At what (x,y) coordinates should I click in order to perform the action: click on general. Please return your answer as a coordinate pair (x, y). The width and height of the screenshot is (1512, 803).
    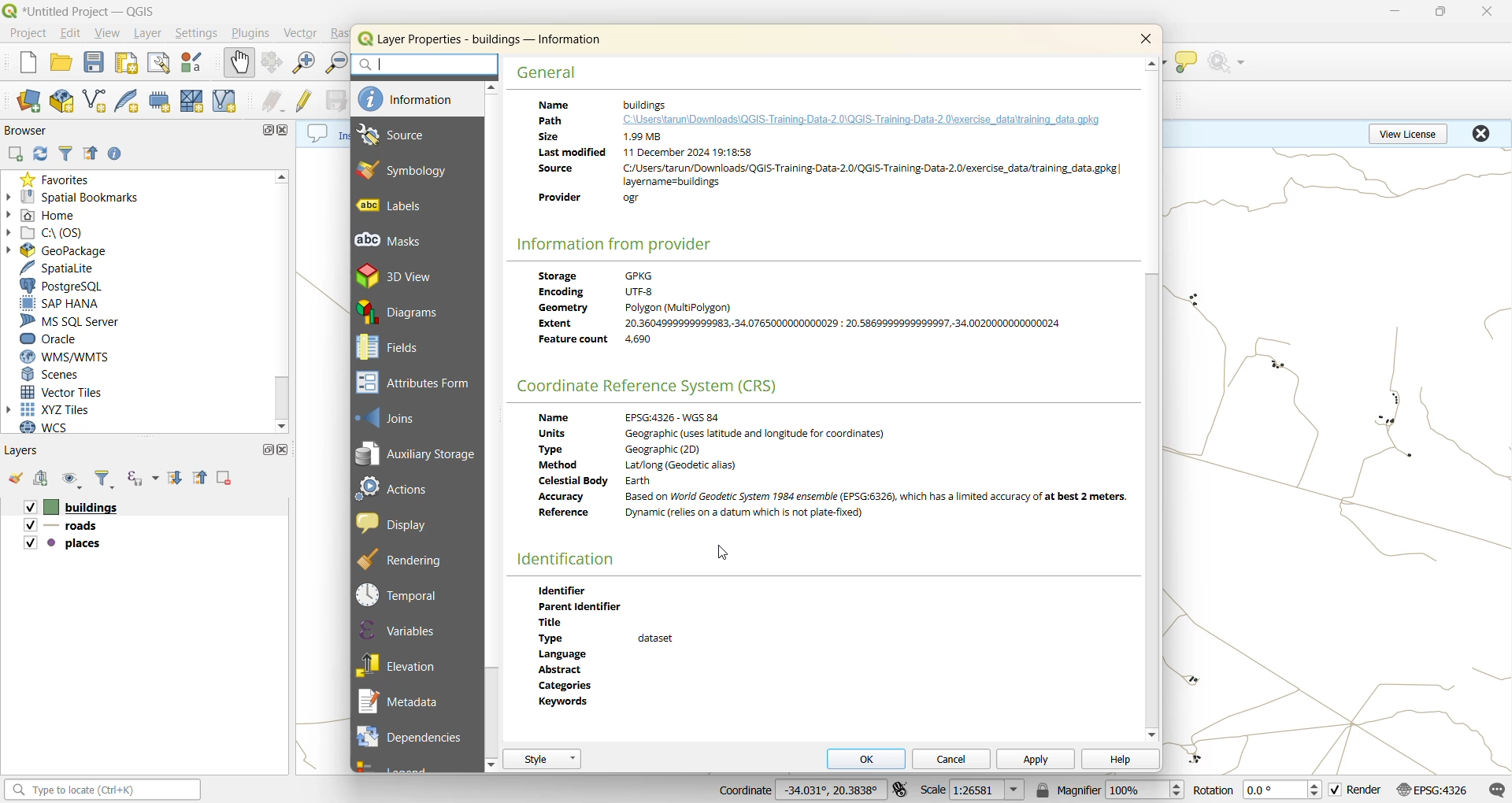
    Looking at the image, I should click on (550, 77).